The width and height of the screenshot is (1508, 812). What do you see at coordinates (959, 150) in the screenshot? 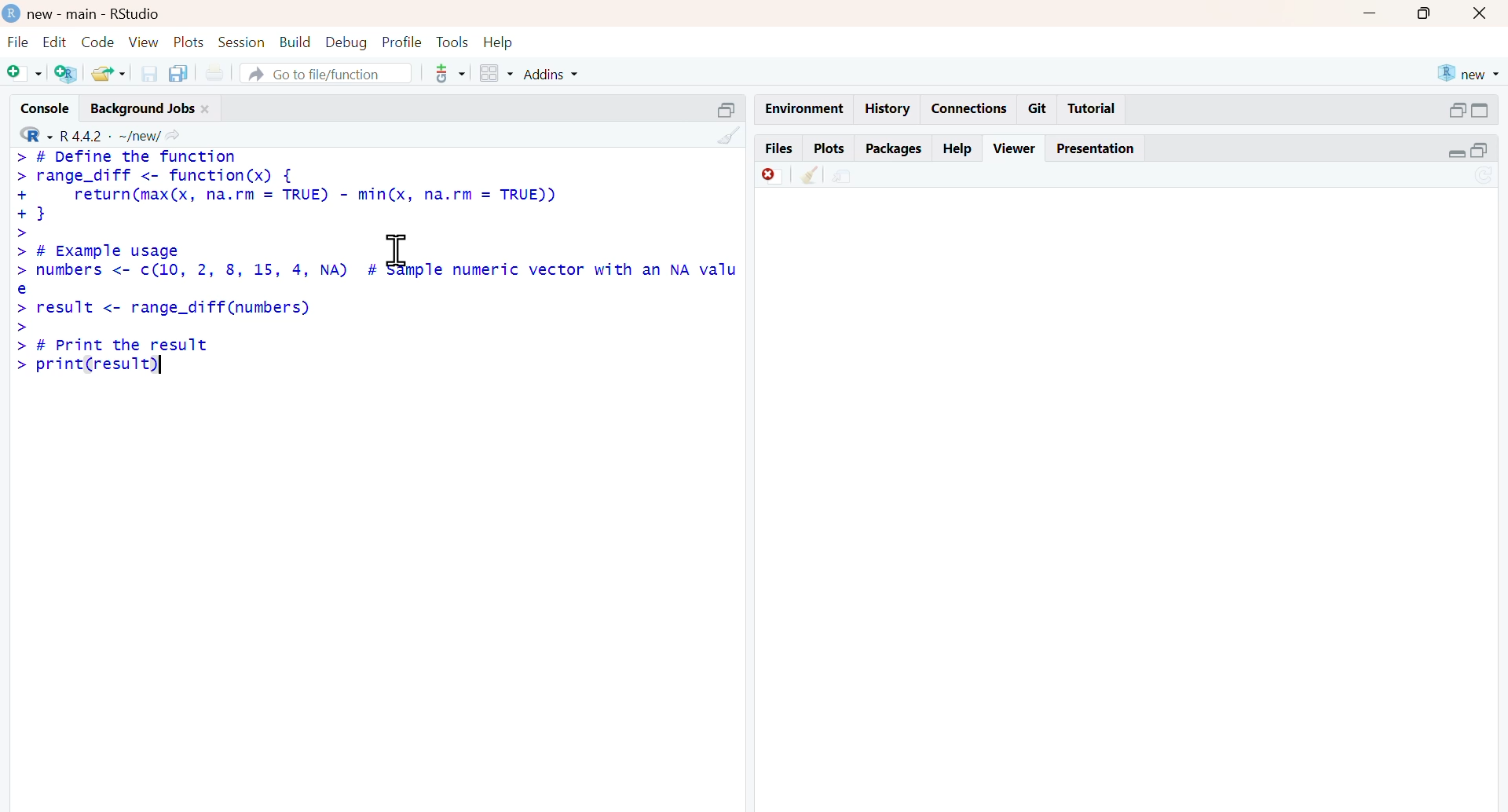
I see `help` at bounding box center [959, 150].